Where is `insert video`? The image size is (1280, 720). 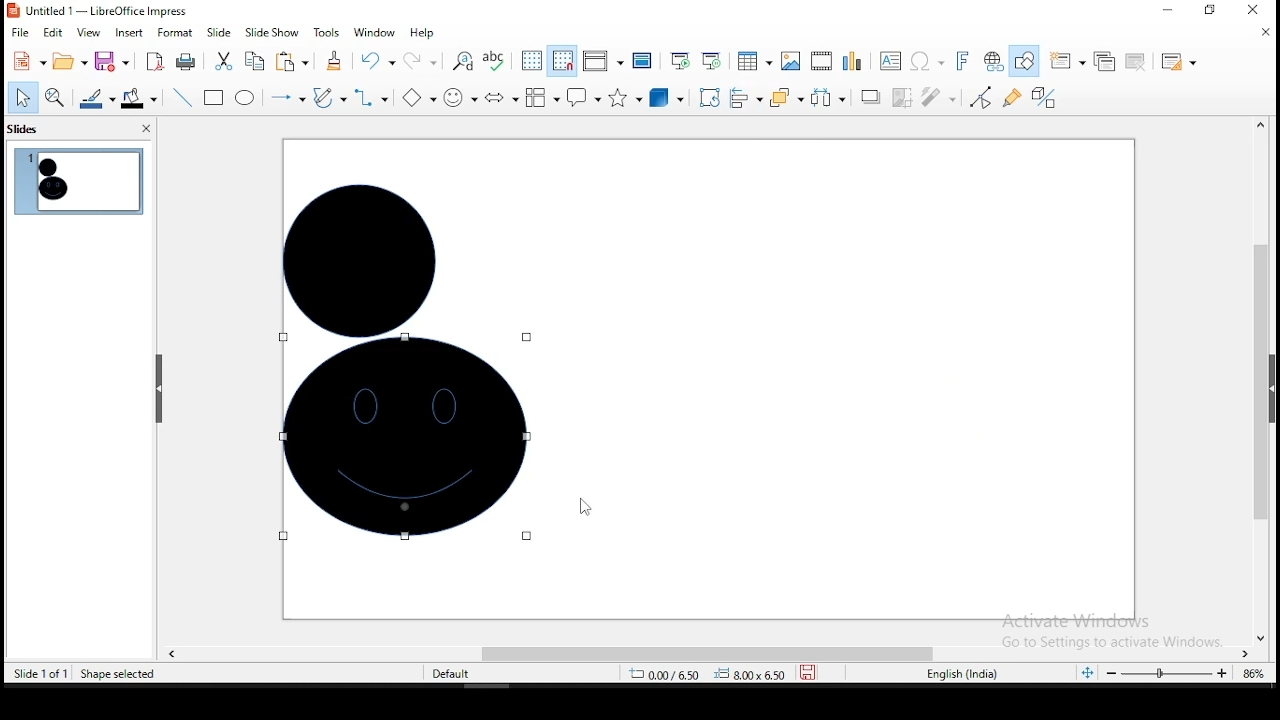 insert video is located at coordinates (822, 61).